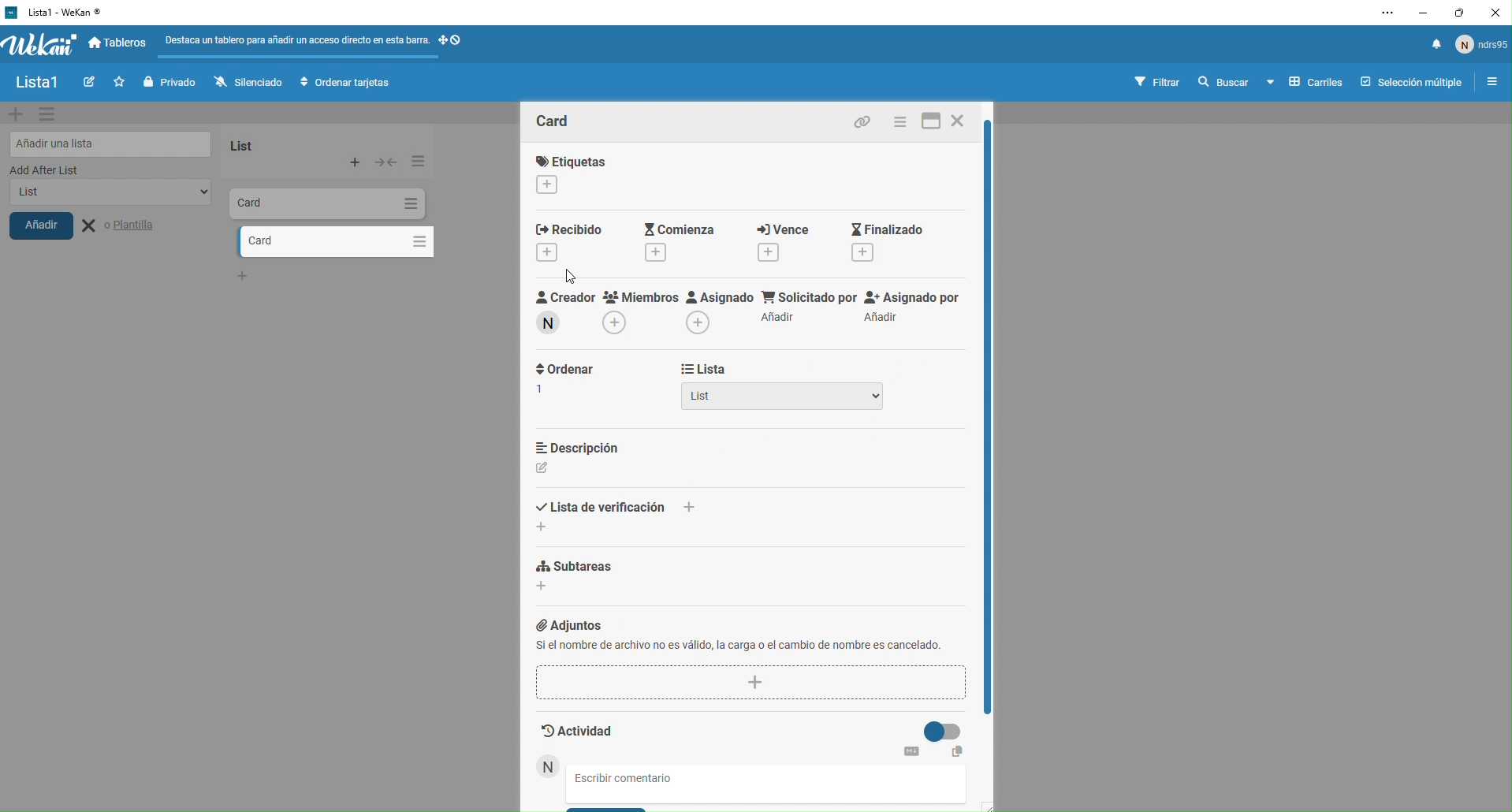 Image resolution: width=1512 pixels, height=812 pixels. I want to click on @ Adjuntos
Si el nombre de archivo no es valido, la carga o el cambio de nombre es cancelado.
i i |, so click(750, 657).